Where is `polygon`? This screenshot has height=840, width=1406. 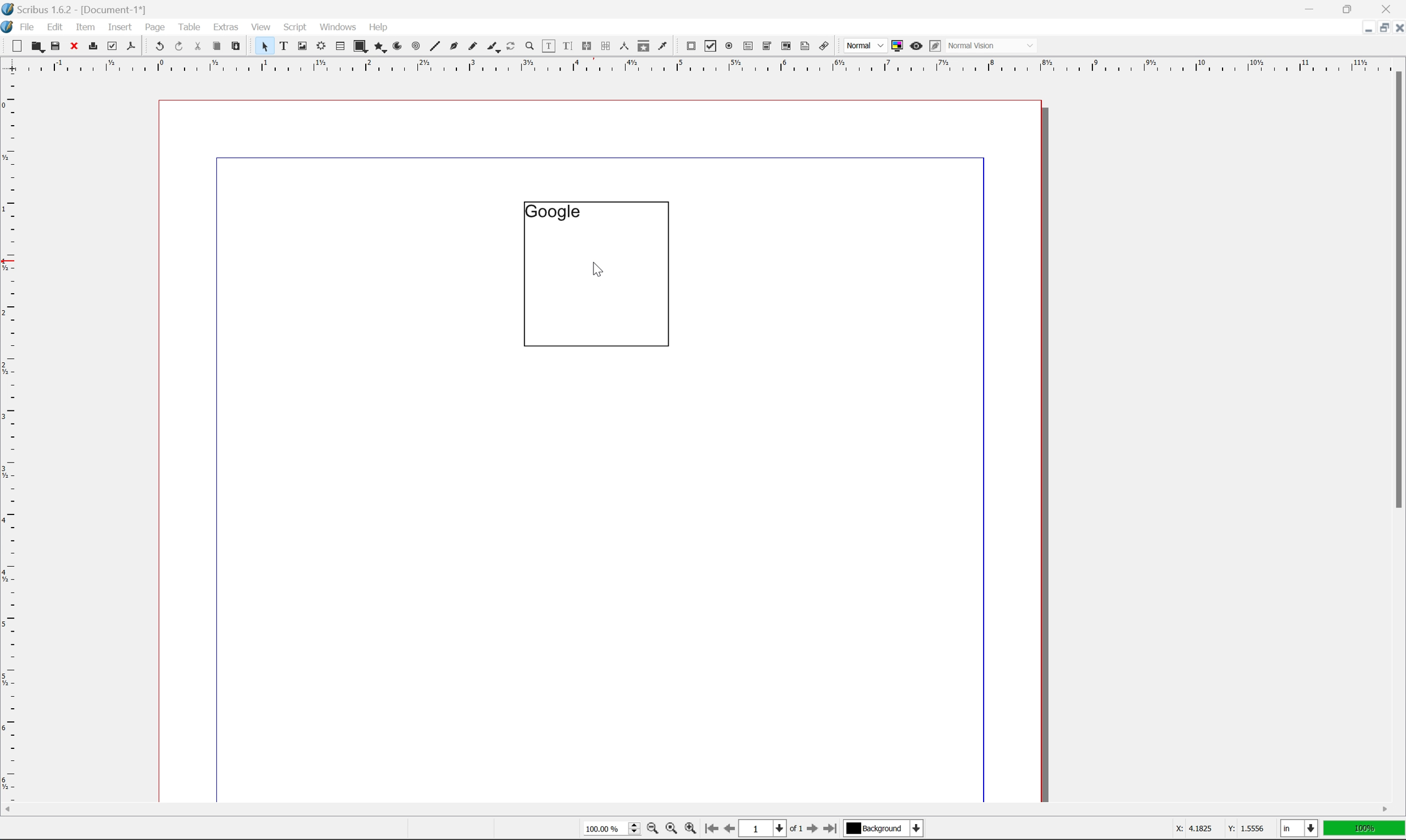
polygon is located at coordinates (381, 48).